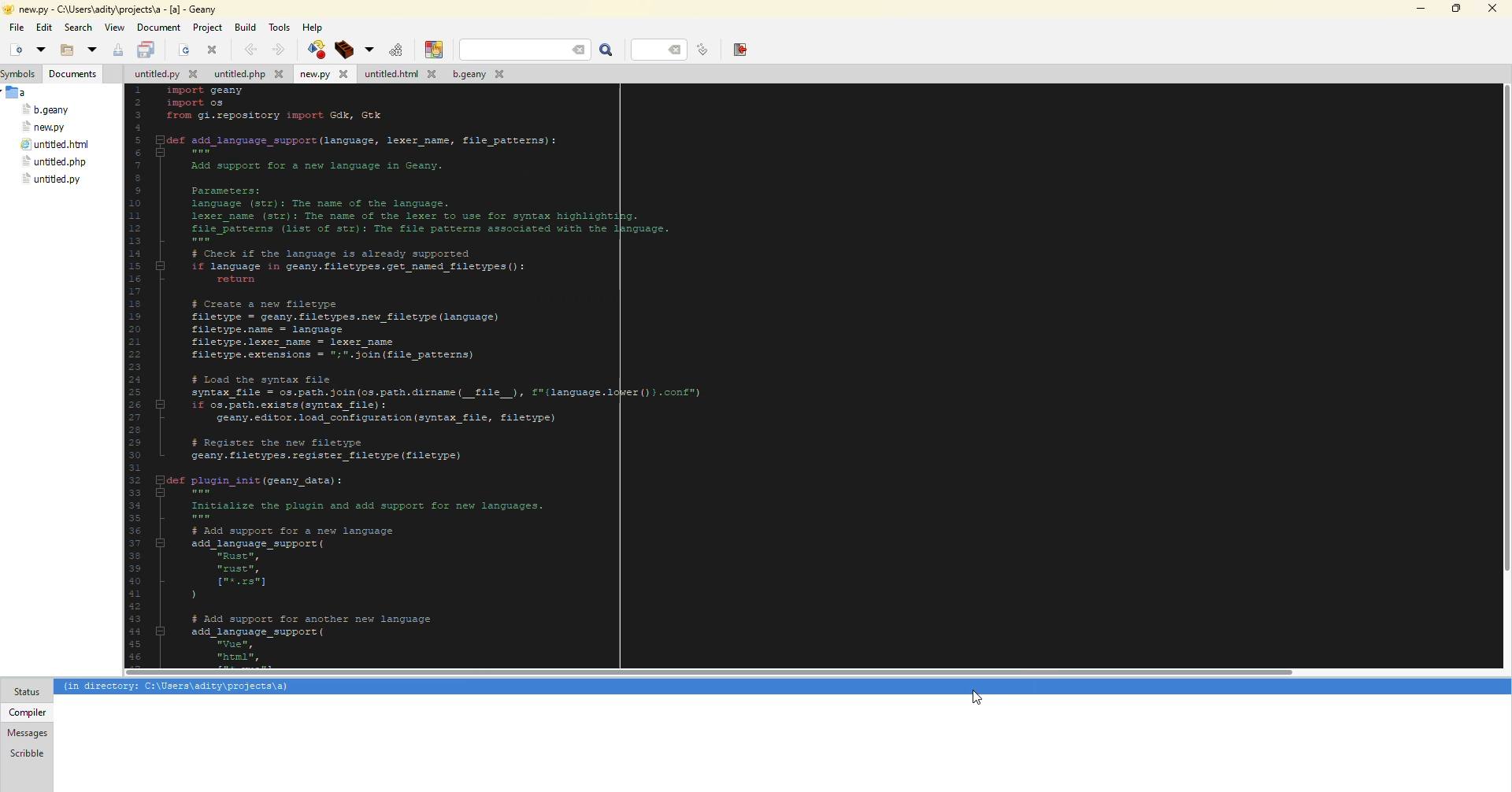 The image size is (1512, 792). What do you see at coordinates (18, 92) in the screenshot?
I see `a` at bounding box center [18, 92].